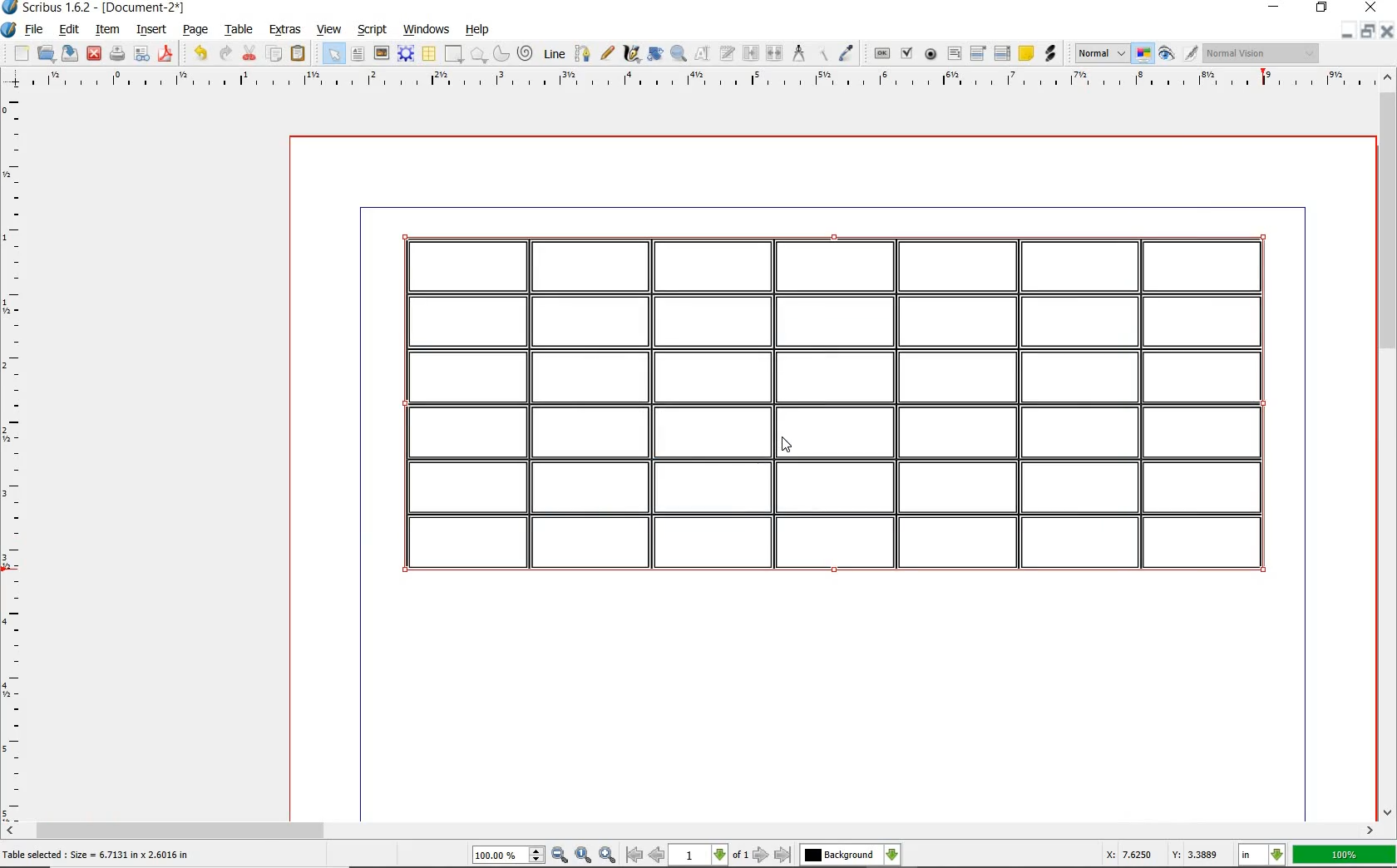  I want to click on extras, so click(284, 30).